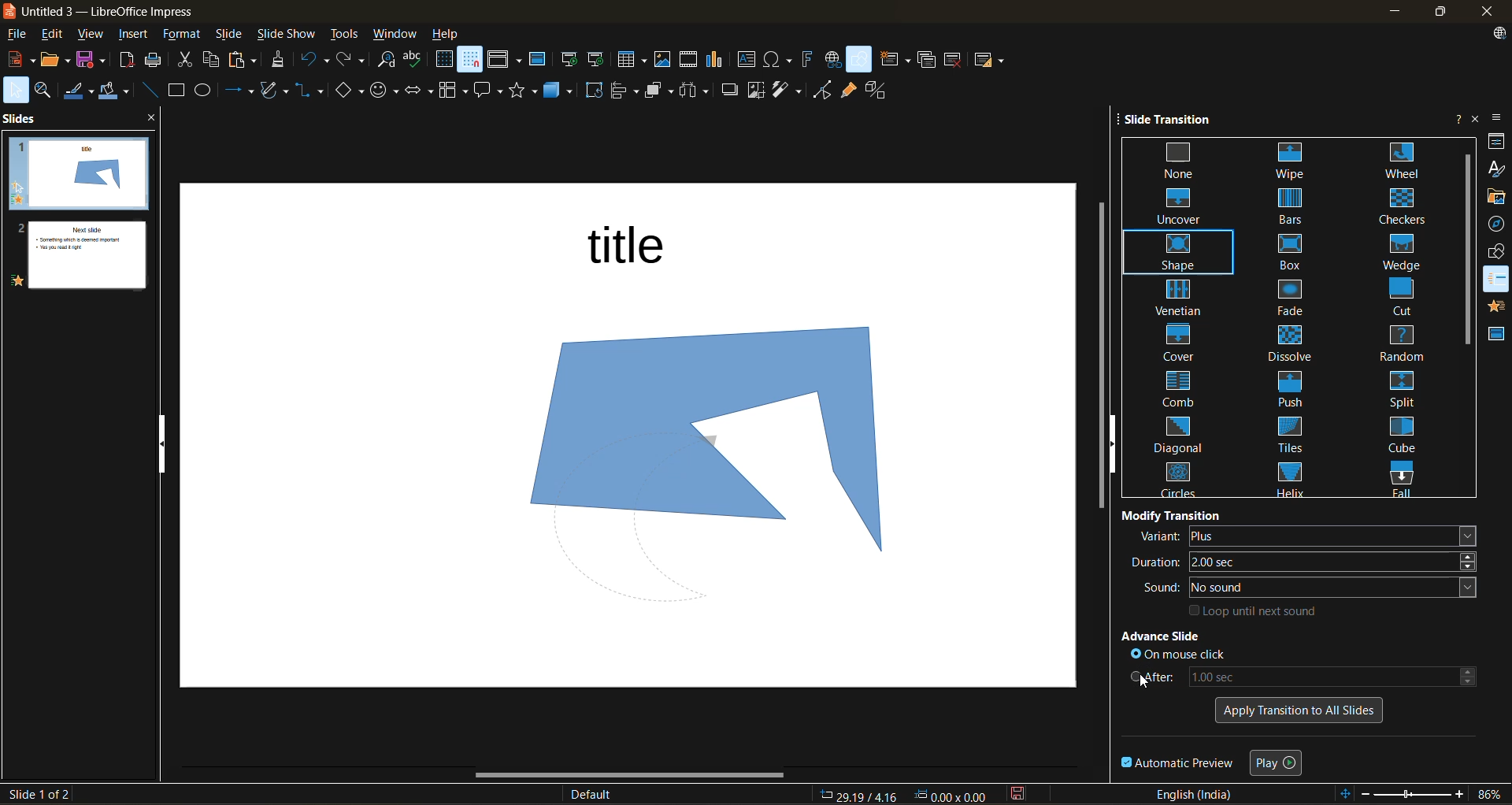 This screenshot has height=805, width=1512. What do you see at coordinates (187, 61) in the screenshot?
I see `cut` at bounding box center [187, 61].